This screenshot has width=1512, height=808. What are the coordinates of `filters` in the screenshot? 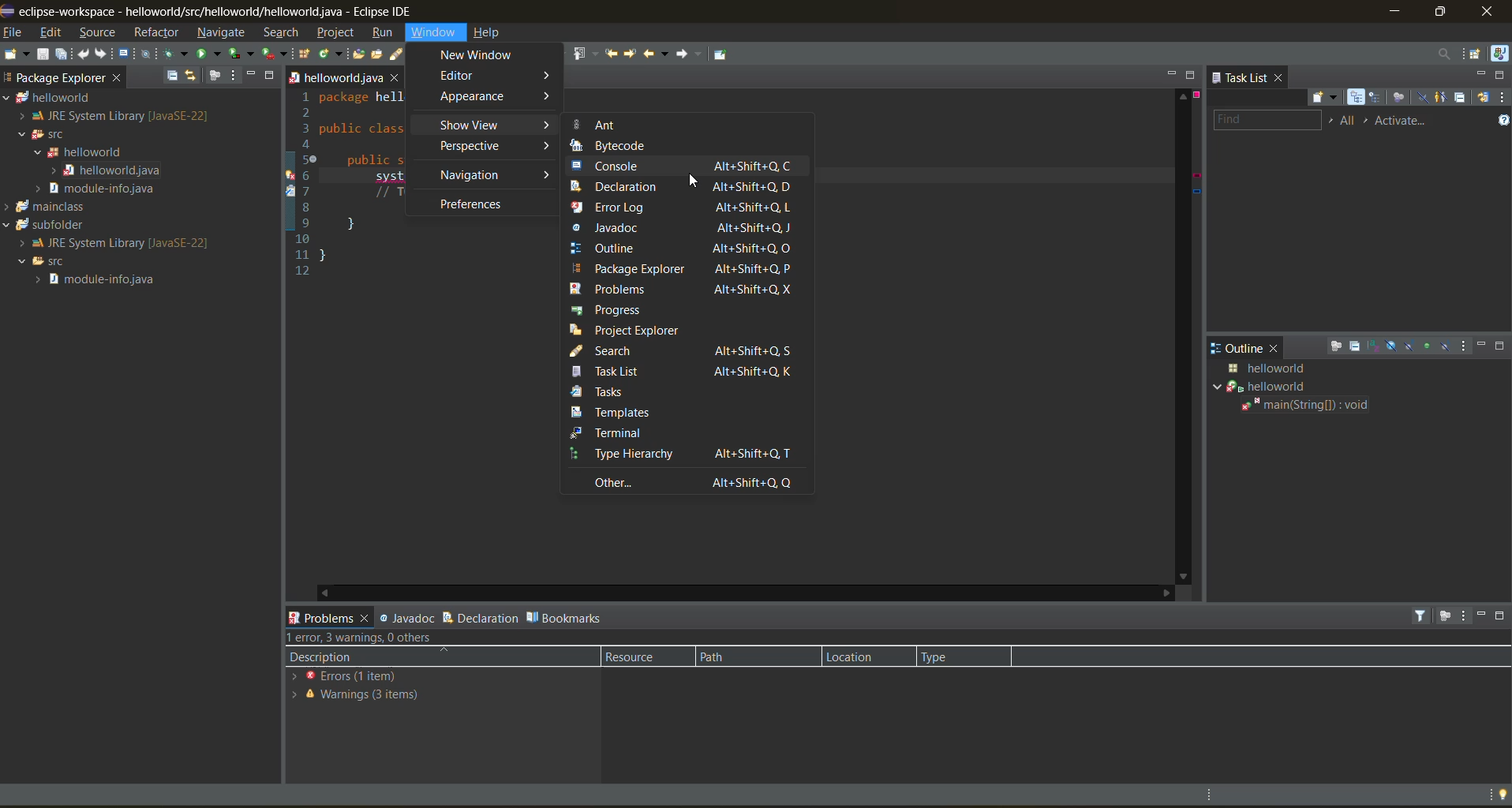 It's located at (1421, 615).